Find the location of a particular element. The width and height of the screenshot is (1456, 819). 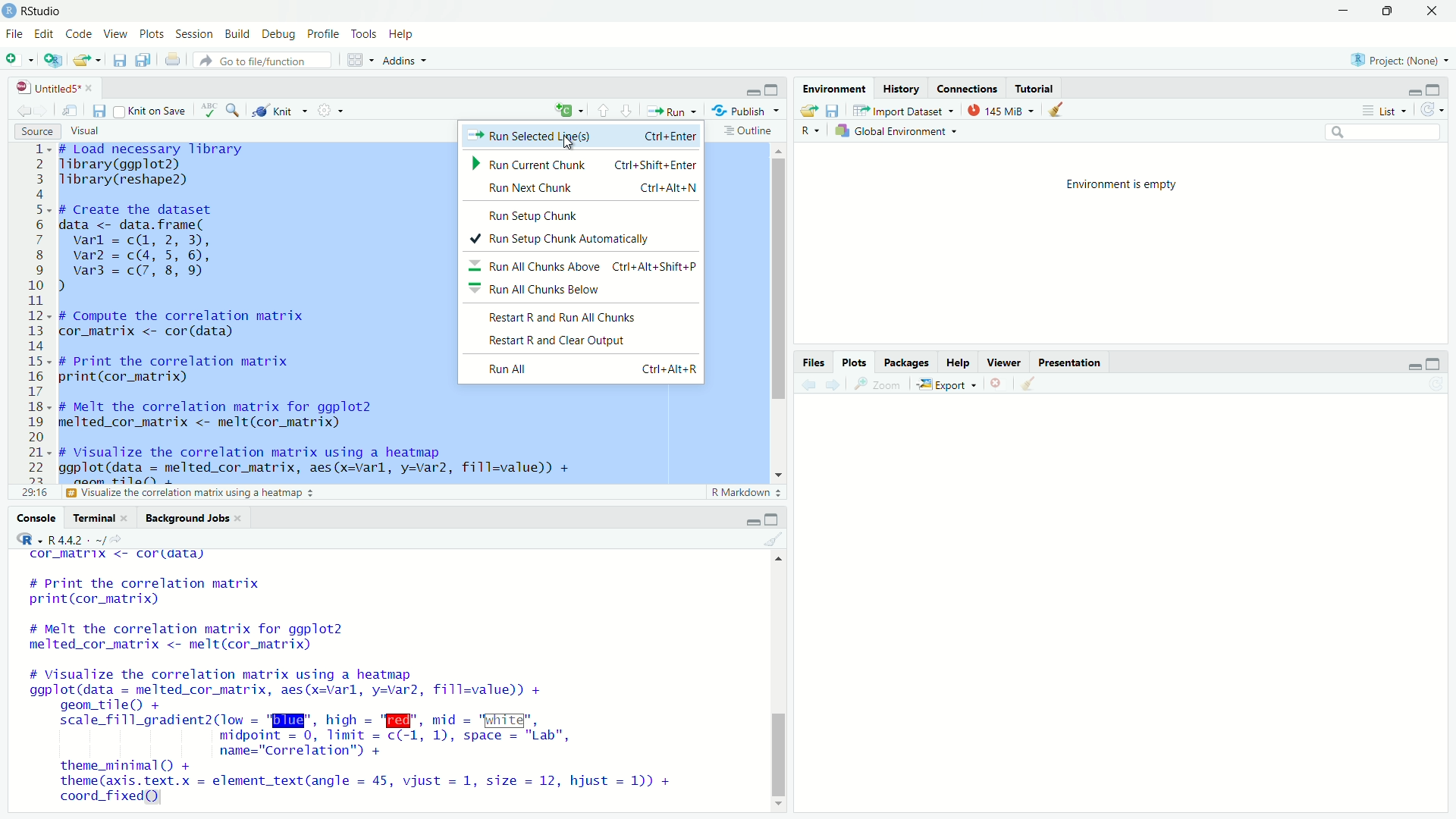

spelling check is located at coordinates (208, 110).